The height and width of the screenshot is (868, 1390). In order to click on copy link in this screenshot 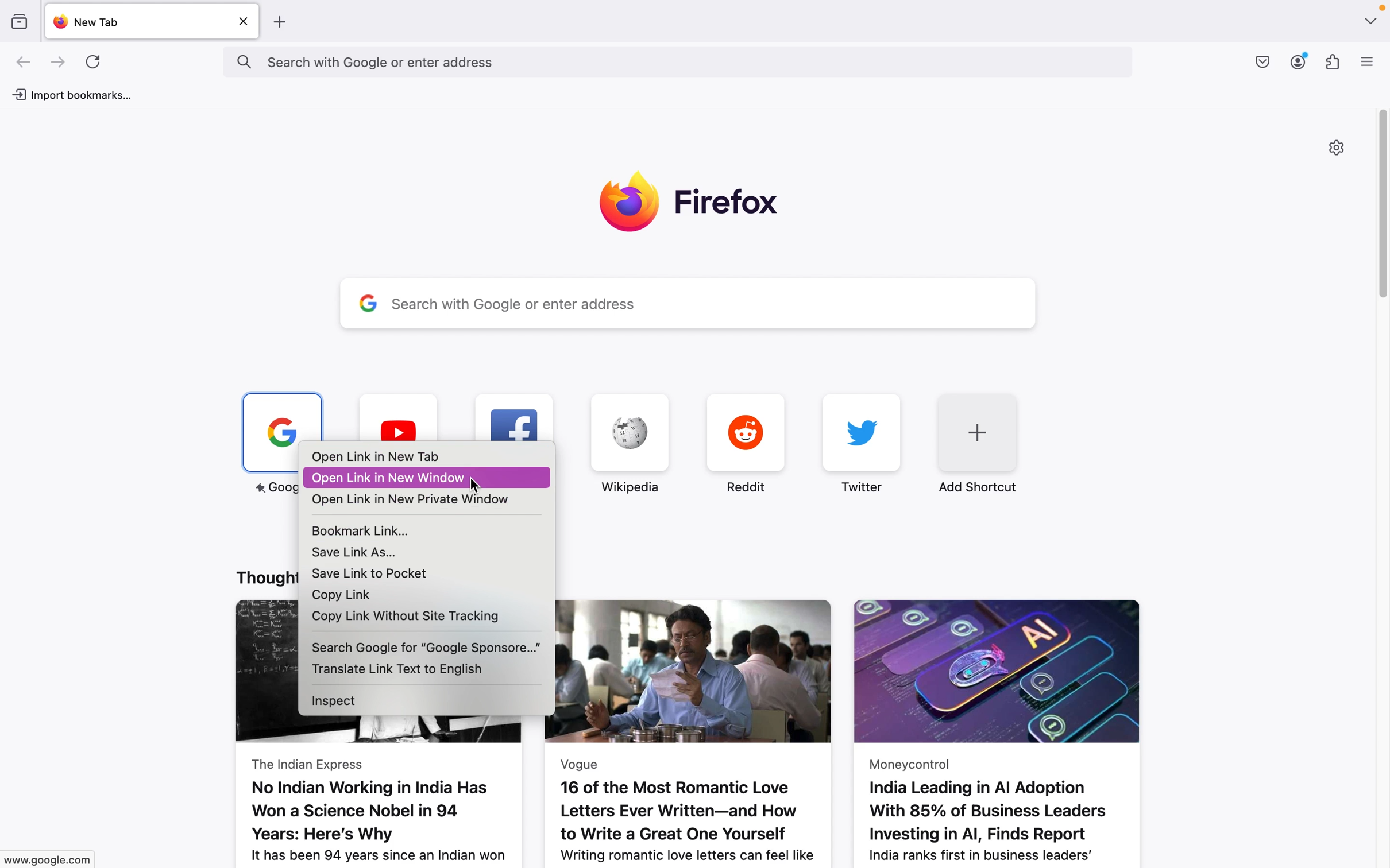, I will do `click(343, 594)`.